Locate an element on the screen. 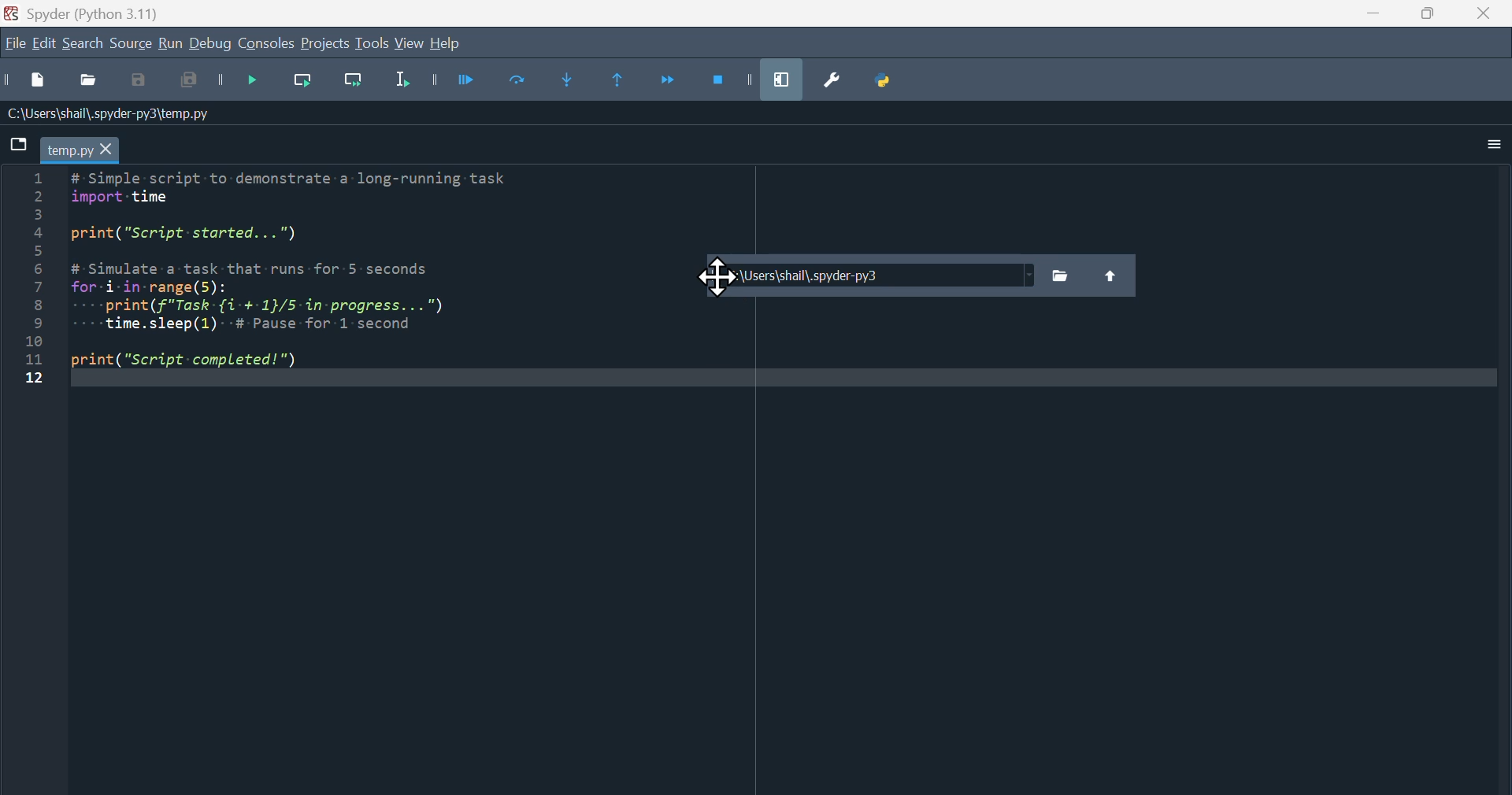 This screenshot has width=1512, height=795. Filename is located at coordinates (79, 148).